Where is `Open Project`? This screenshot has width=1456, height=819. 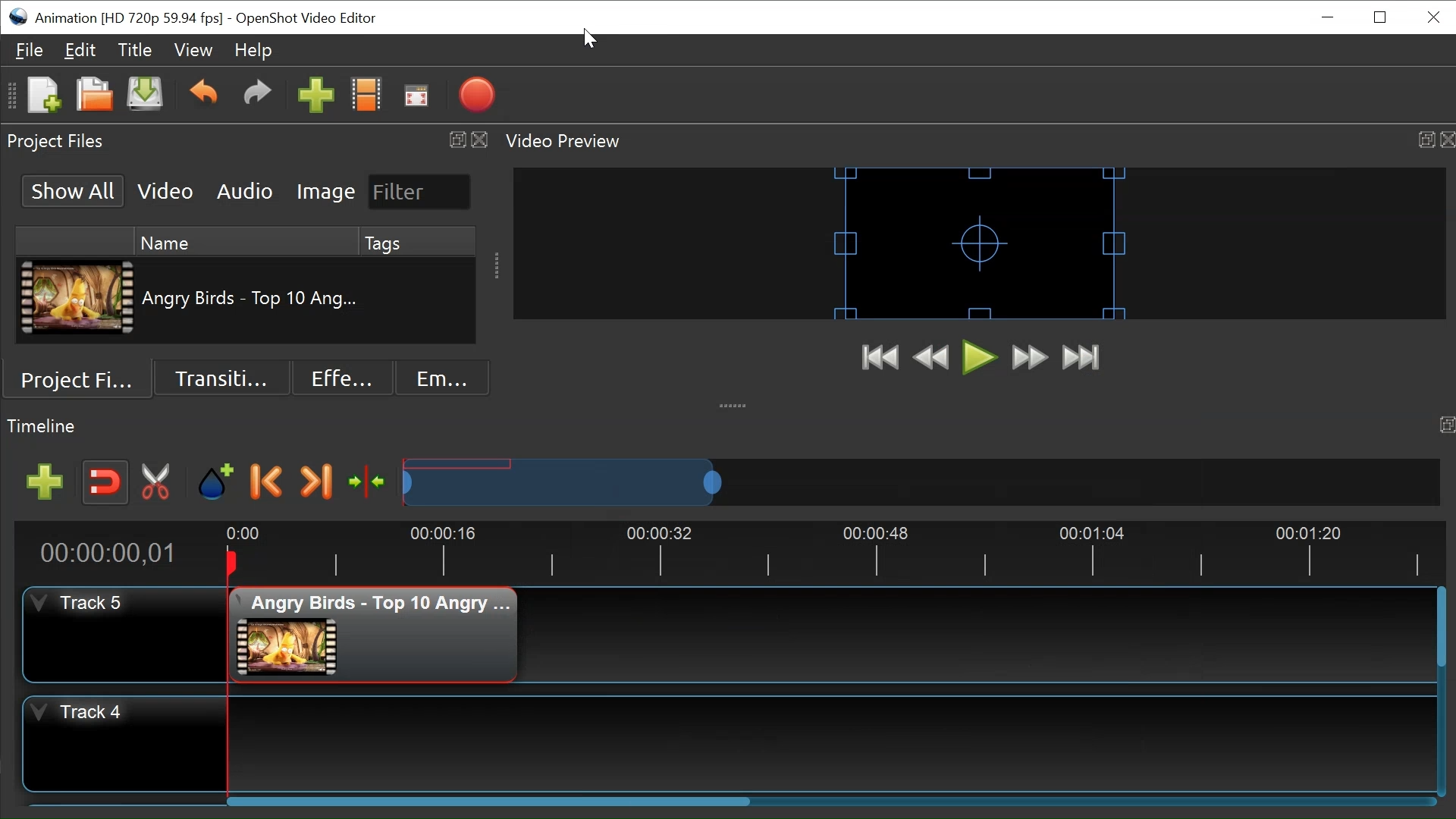 Open Project is located at coordinates (90, 96).